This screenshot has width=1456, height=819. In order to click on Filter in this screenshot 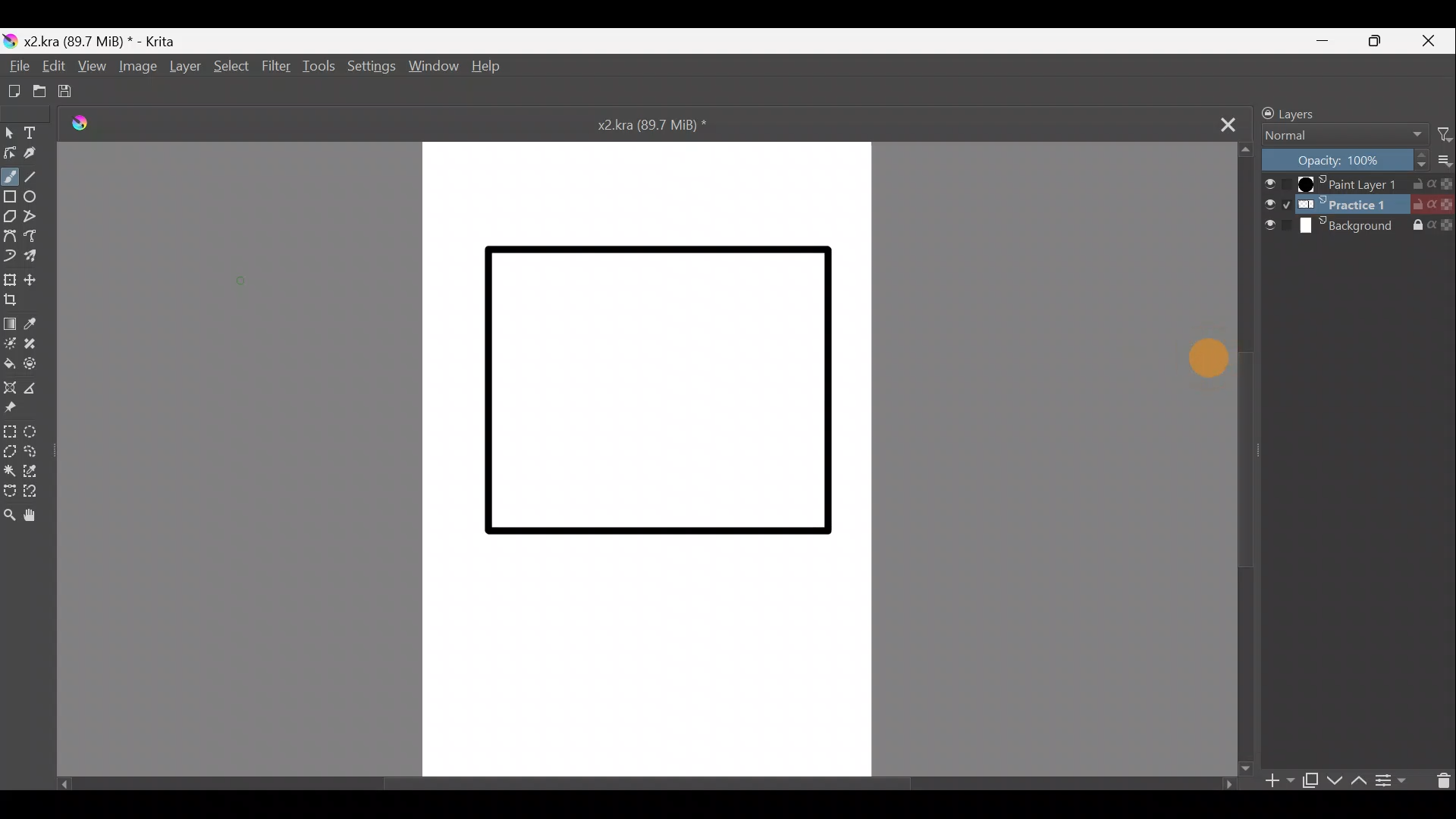, I will do `click(1443, 135)`.